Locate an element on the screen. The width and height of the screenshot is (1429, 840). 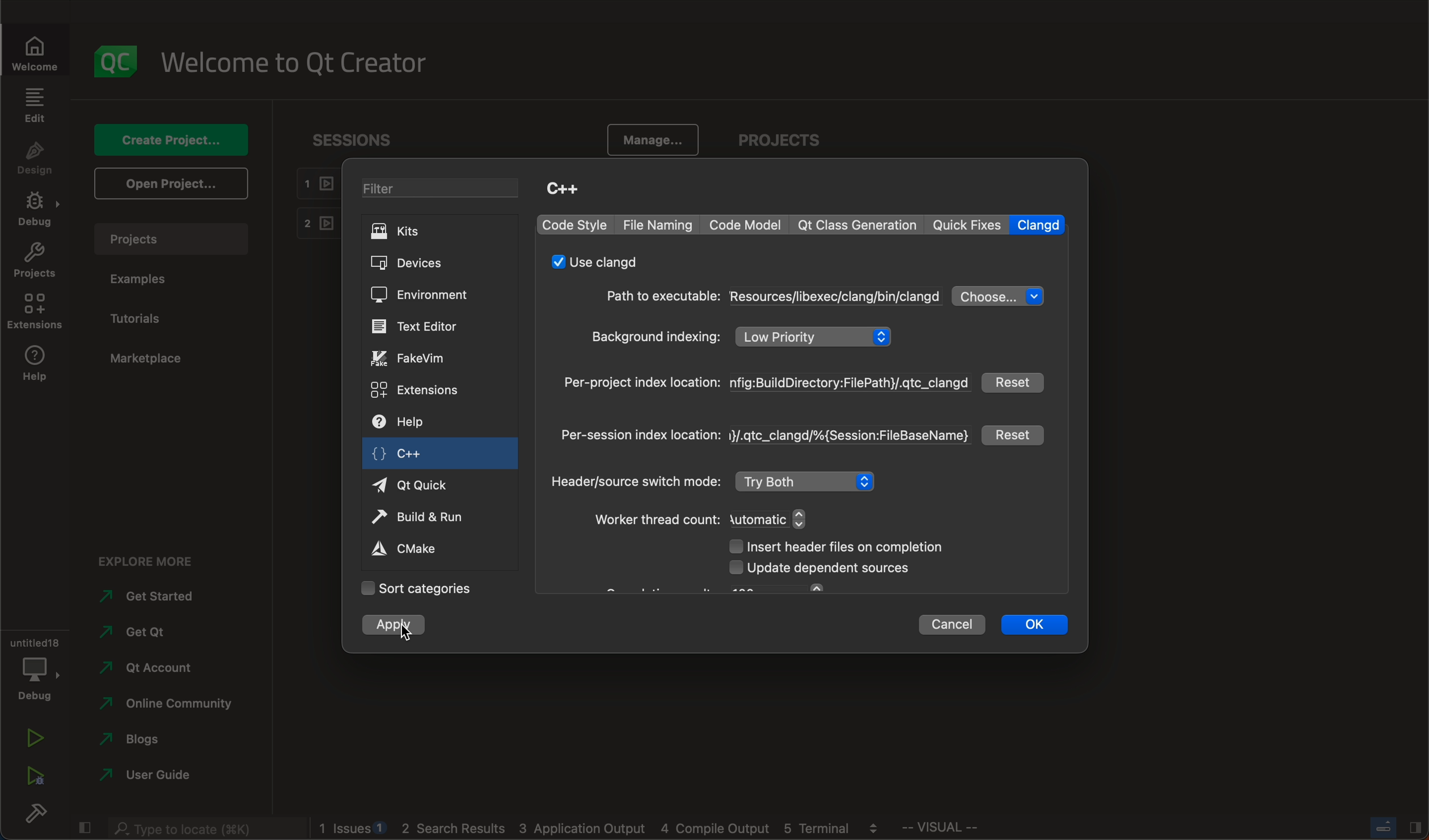
index location is located at coordinates (766, 385).